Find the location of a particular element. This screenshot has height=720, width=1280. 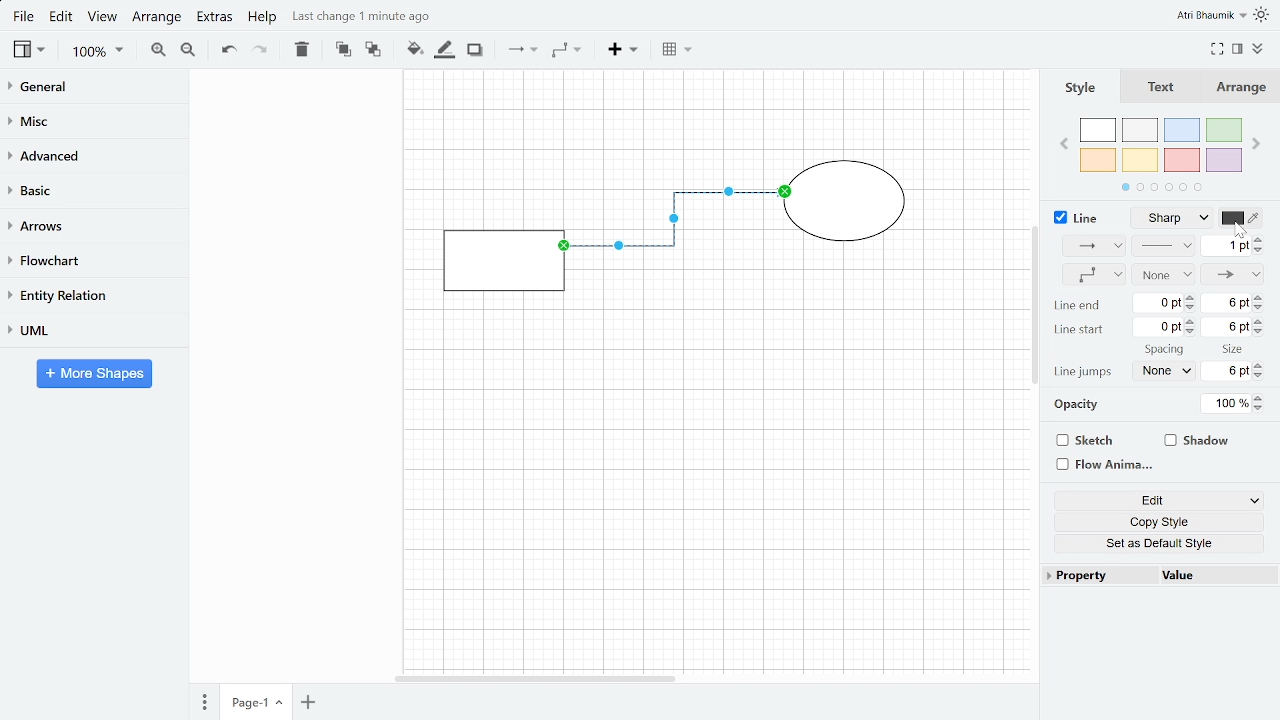

Connector is located at coordinates (675, 229).